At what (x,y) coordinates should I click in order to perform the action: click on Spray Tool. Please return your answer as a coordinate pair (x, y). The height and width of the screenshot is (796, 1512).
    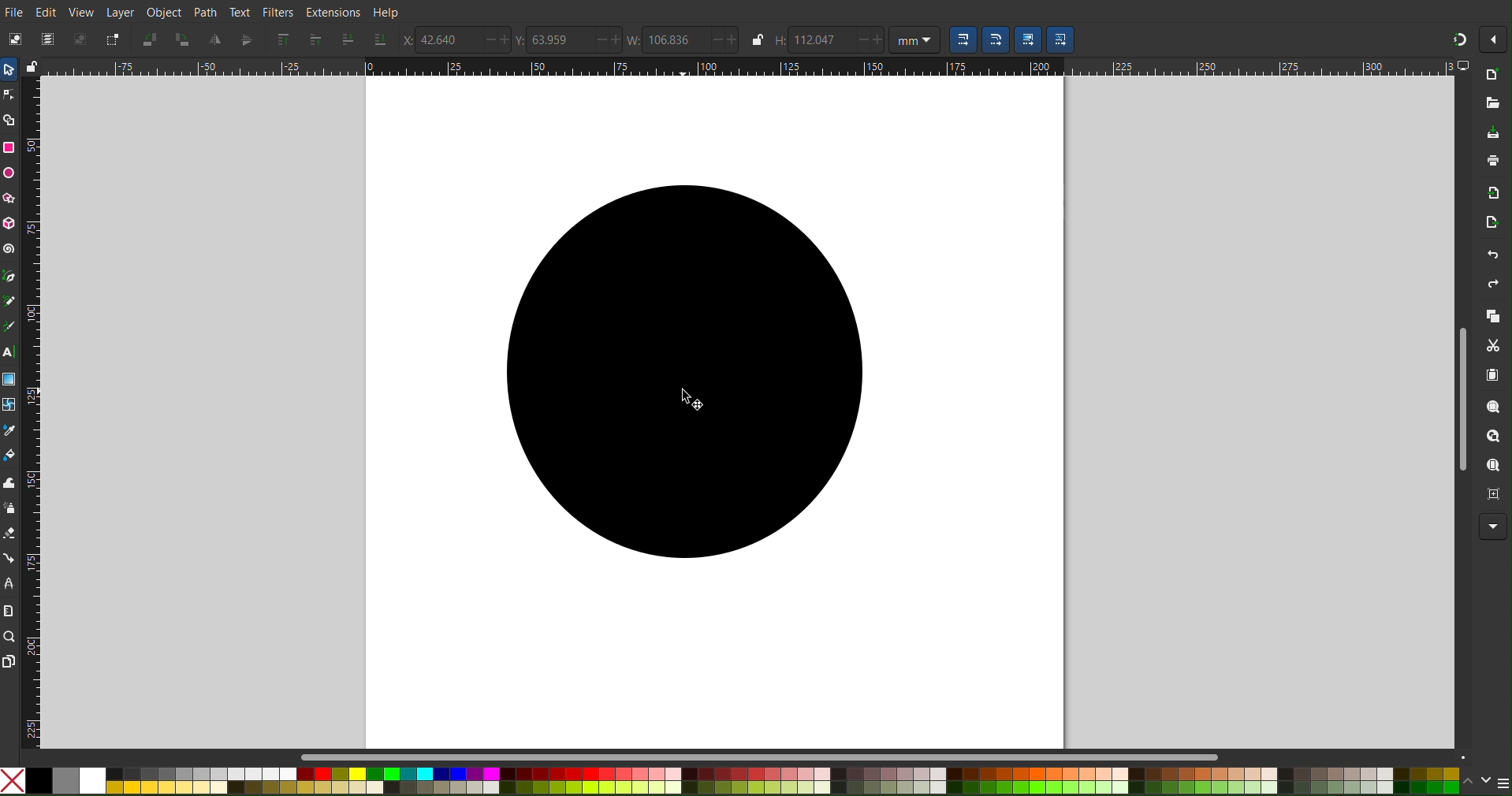
    Looking at the image, I should click on (10, 509).